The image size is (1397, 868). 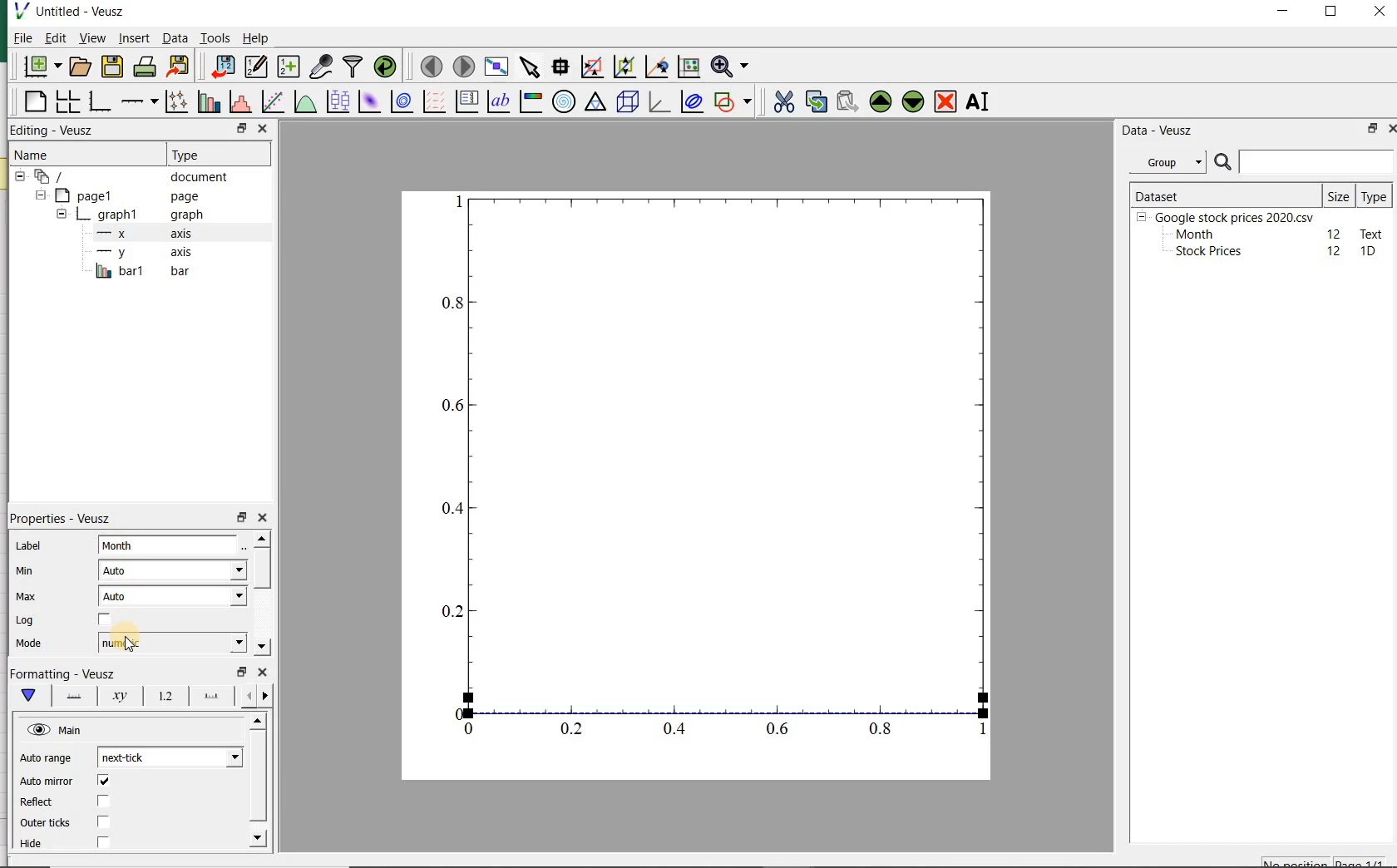 I want to click on Auto minor, so click(x=47, y=782).